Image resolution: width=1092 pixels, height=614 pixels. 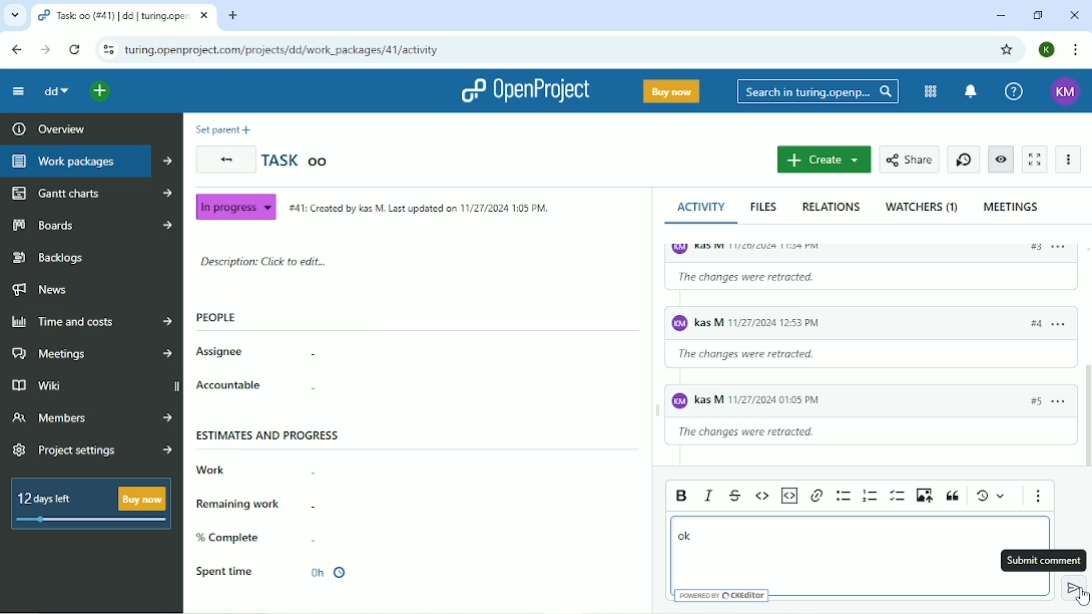 What do you see at coordinates (1084, 599) in the screenshot?
I see `Cursor` at bounding box center [1084, 599].